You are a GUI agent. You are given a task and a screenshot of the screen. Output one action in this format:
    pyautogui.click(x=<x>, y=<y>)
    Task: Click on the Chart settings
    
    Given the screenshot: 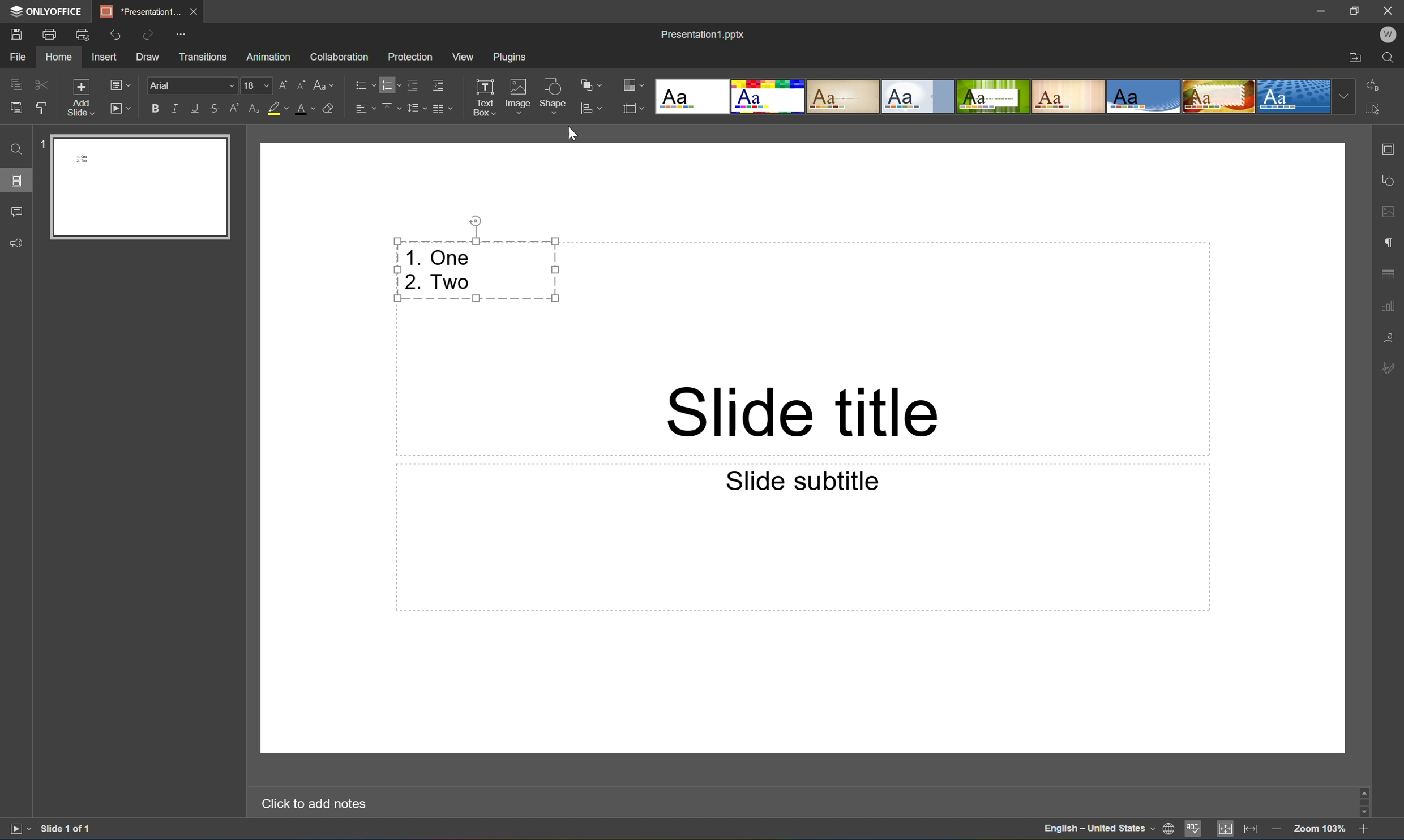 What is the action you would take?
    pyautogui.click(x=1390, y=306)
    